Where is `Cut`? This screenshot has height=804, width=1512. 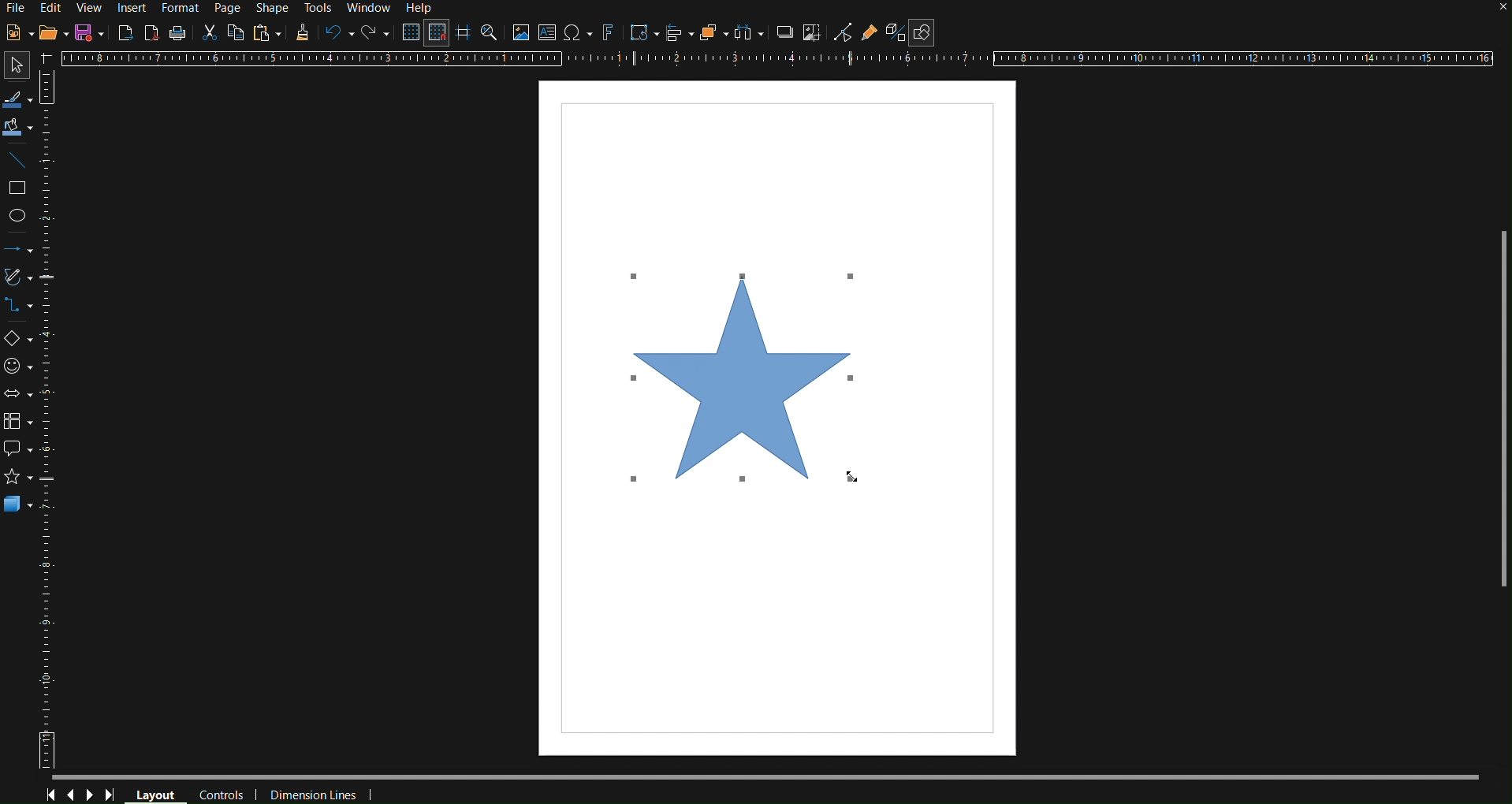 Cut is located at coordinates (207, 32).